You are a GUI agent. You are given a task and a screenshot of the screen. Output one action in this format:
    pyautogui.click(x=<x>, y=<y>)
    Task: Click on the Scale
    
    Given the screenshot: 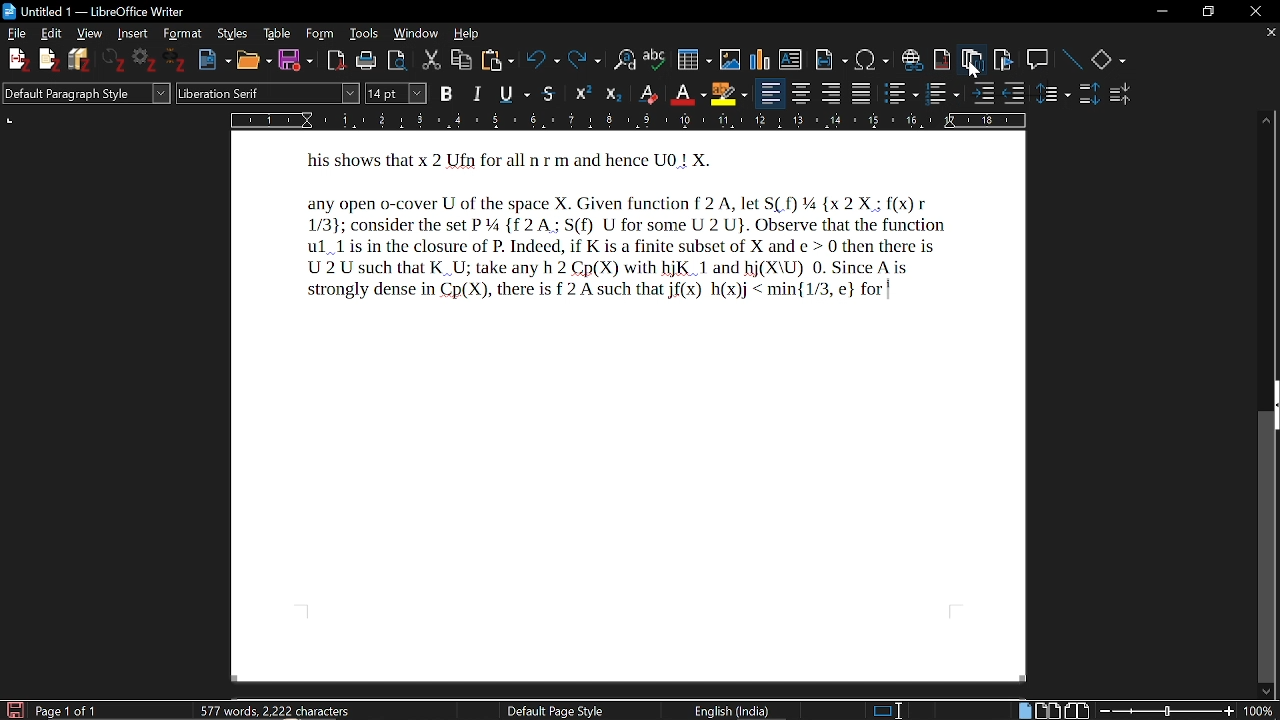 What is the action you would take?
    pyautogui.click(x=627, y=121)
    